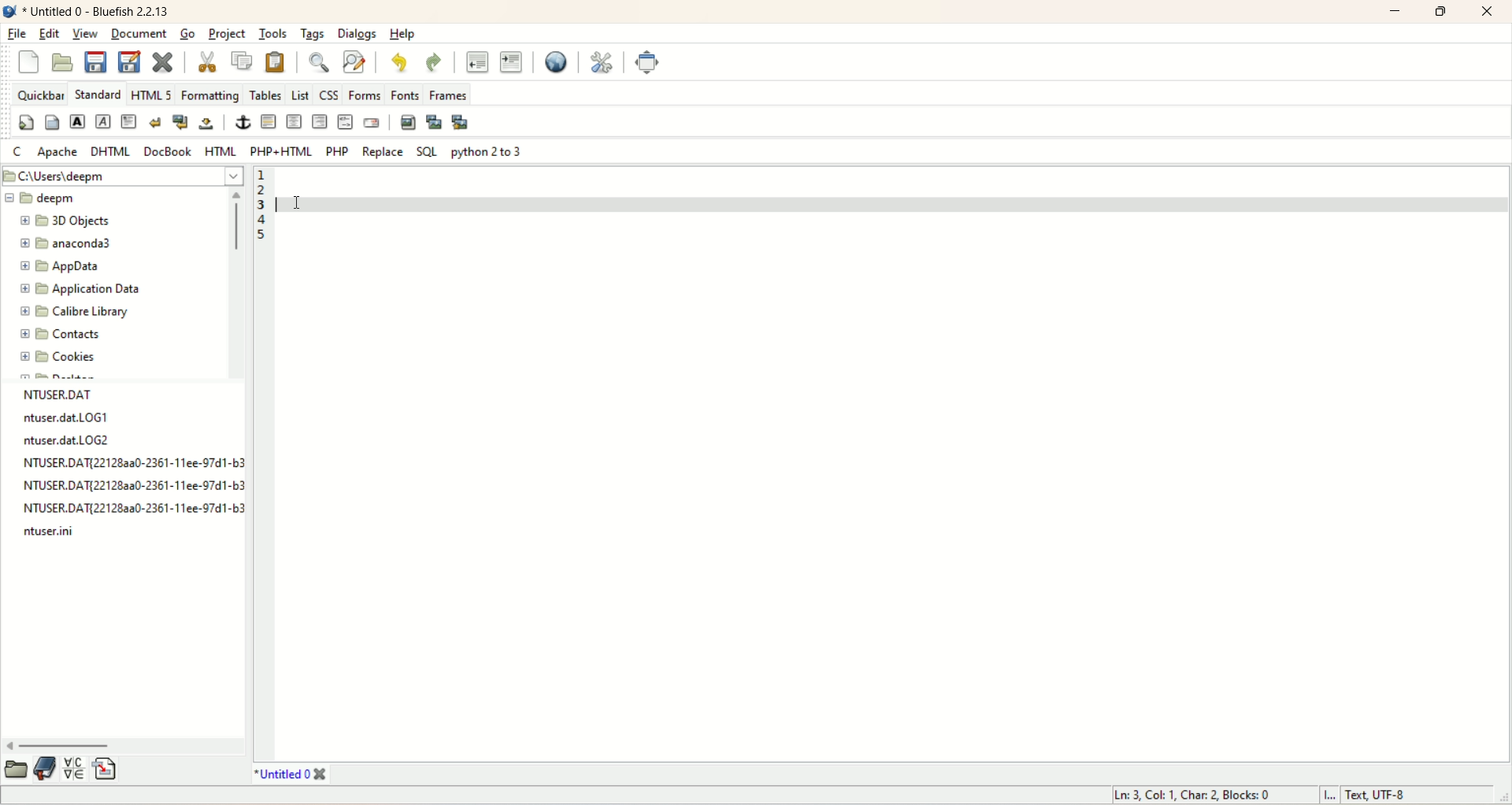 Image resolution: width=1512 pixels, height=805 pixels. What do you see at coordinates (317, 61) in the screenshot?
I see `show find bar` at bounding box center [317, 61].